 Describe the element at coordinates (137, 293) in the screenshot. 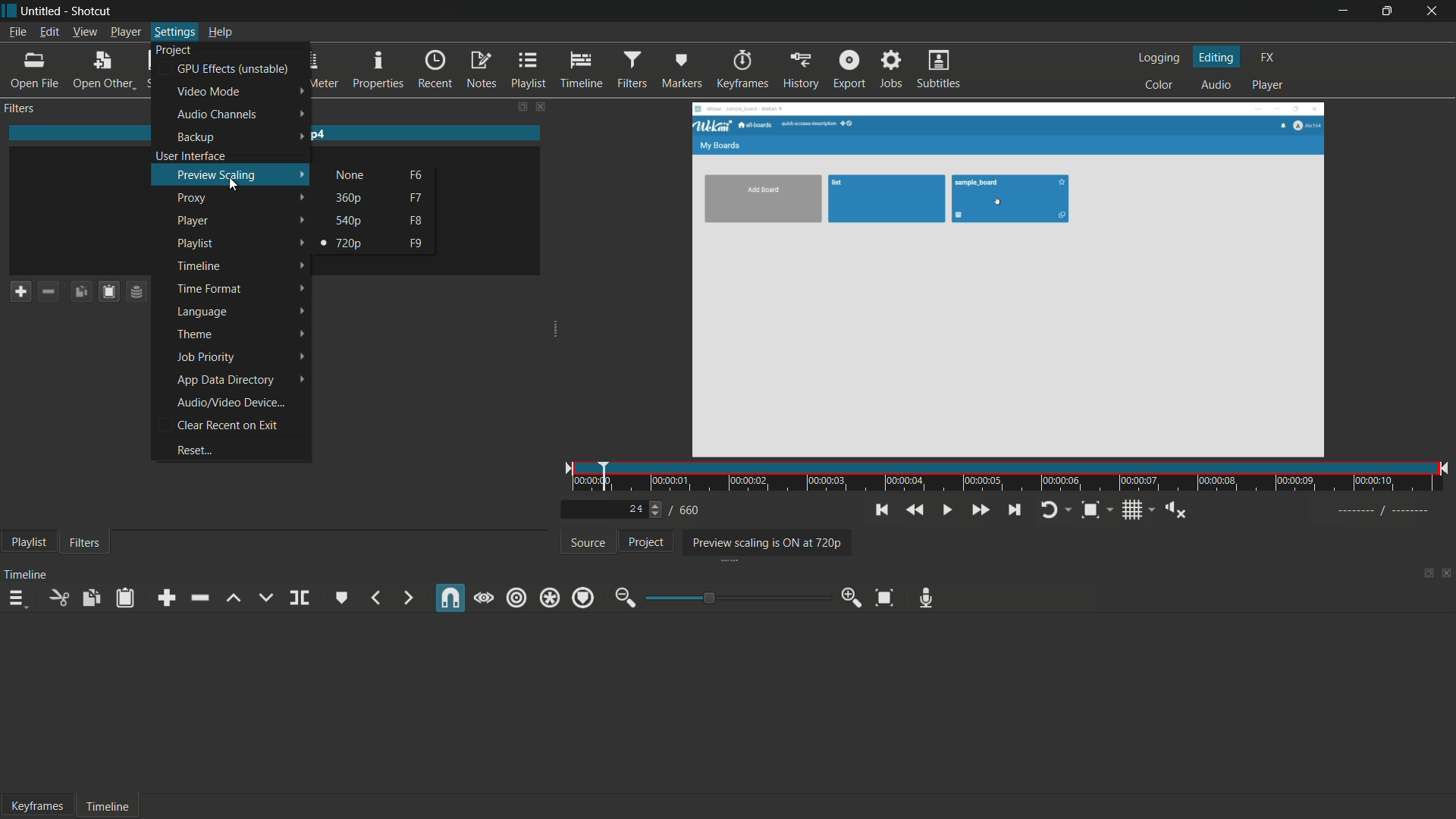

I see `save filter set` at that location.